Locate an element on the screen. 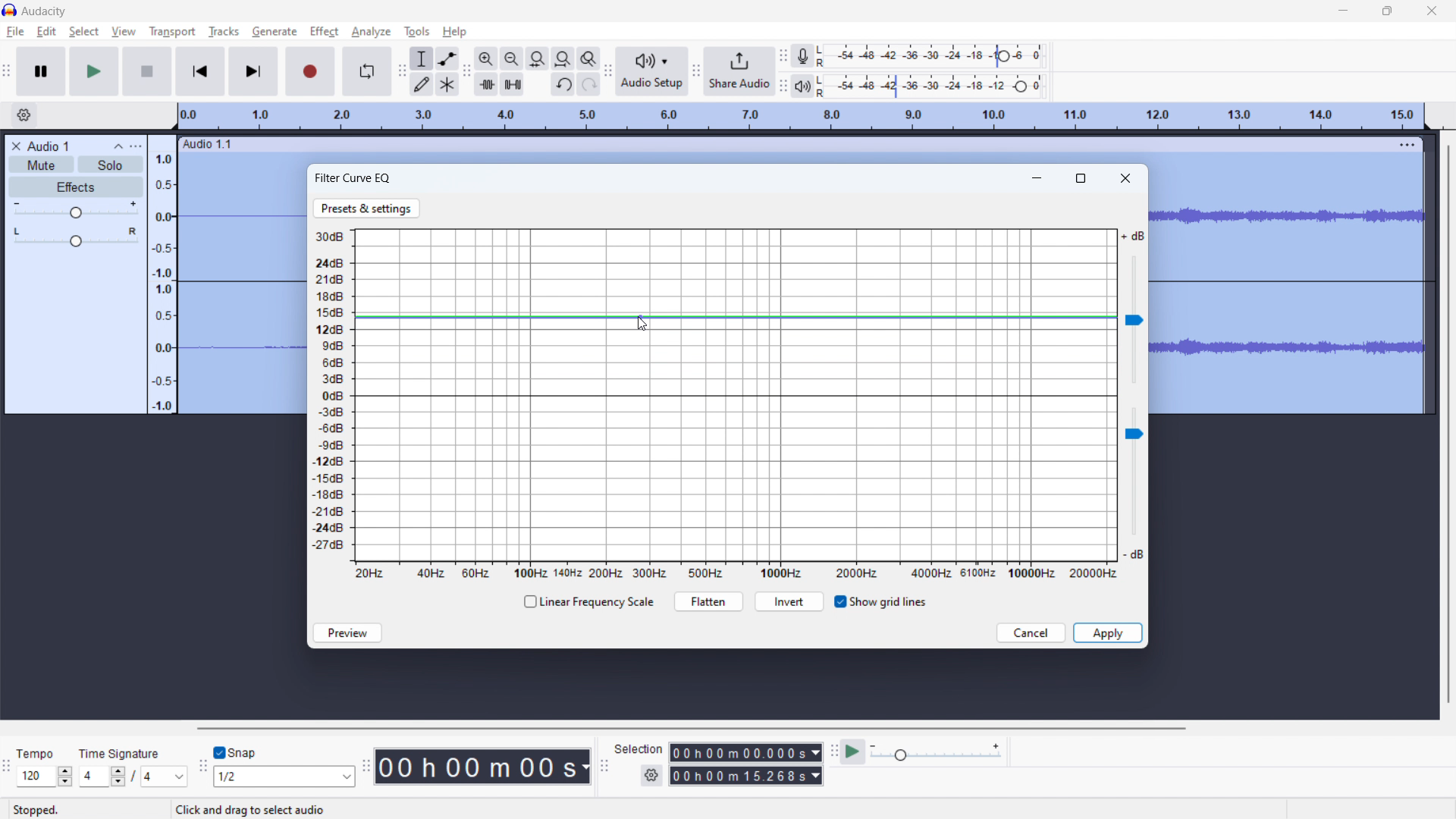 The image size is (1456, 819). play at speed is located at coordinates (854, 752).